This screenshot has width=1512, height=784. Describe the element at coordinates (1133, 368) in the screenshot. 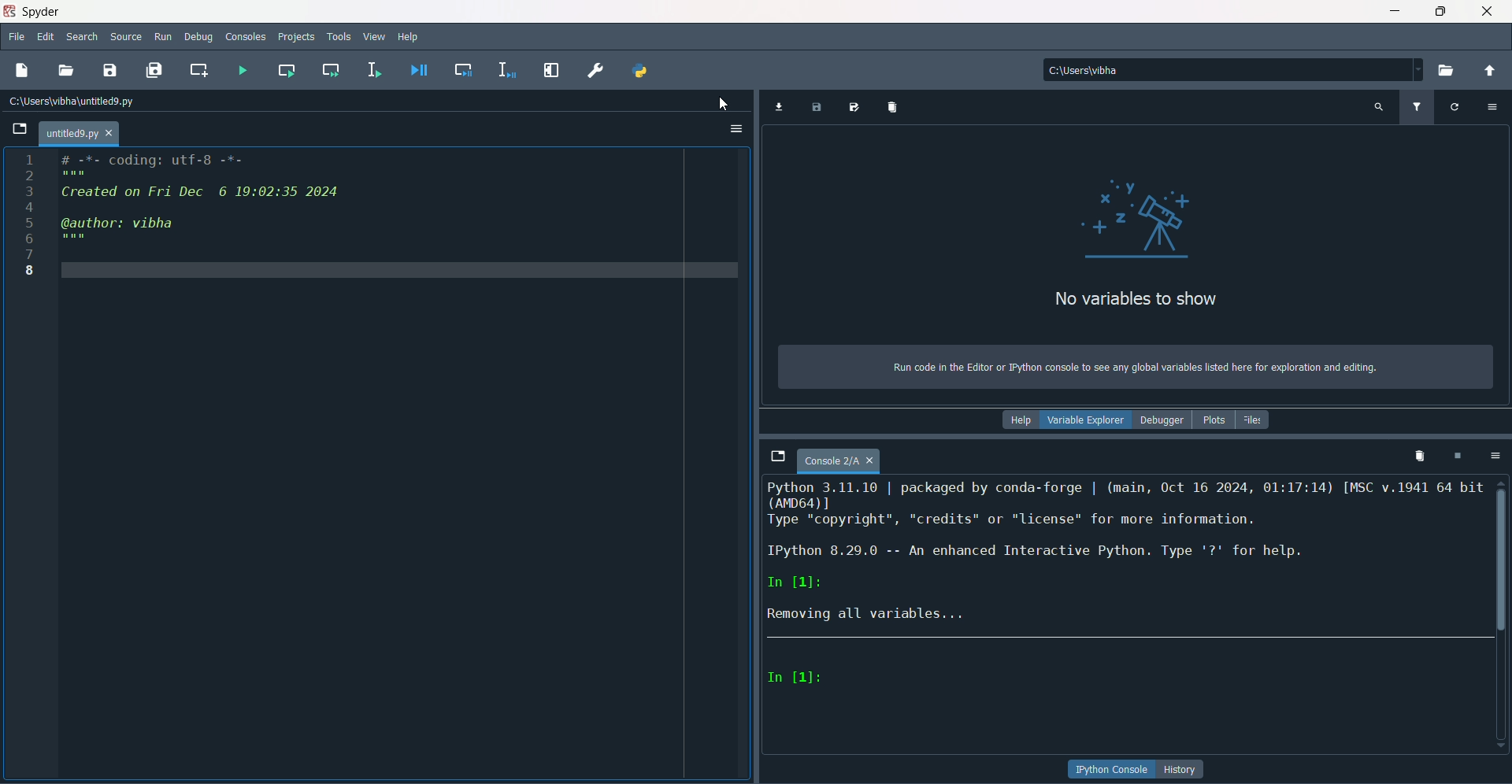

I see `text` at that location.